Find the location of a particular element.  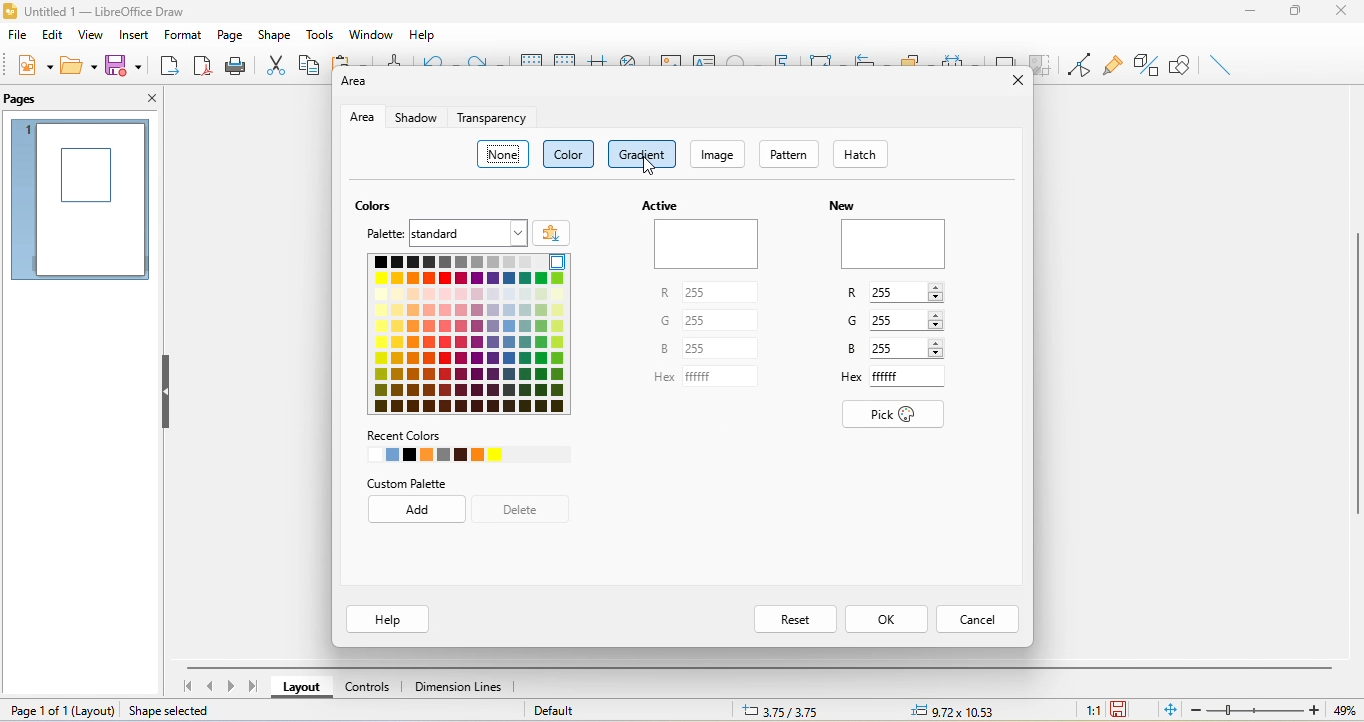

255 is located at coordinates (723, 321).